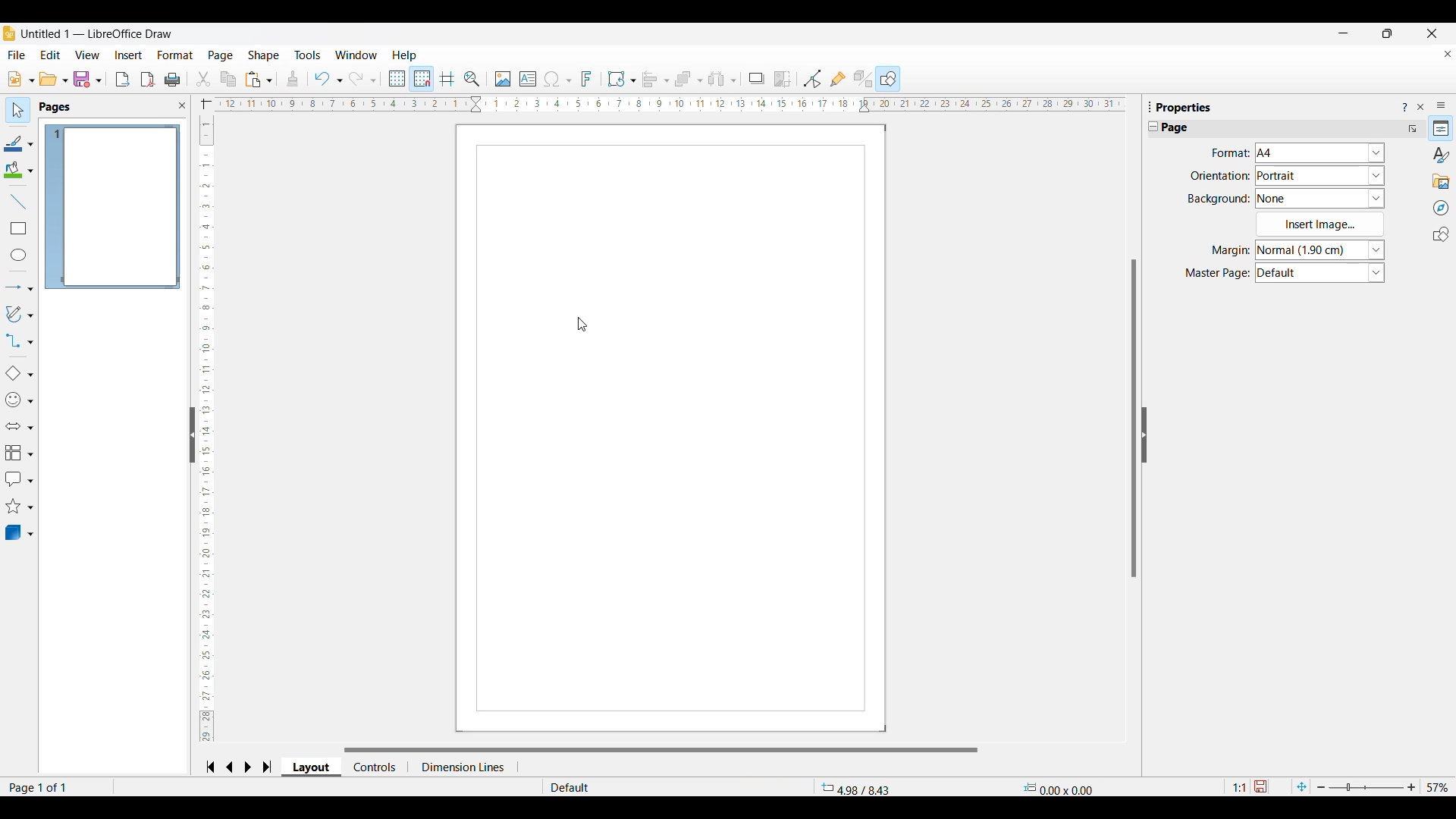  What do you see at coordinates (1442, 105) in the screenshot?
I see `Sidebar settings` at bounding box center [1442, 105].